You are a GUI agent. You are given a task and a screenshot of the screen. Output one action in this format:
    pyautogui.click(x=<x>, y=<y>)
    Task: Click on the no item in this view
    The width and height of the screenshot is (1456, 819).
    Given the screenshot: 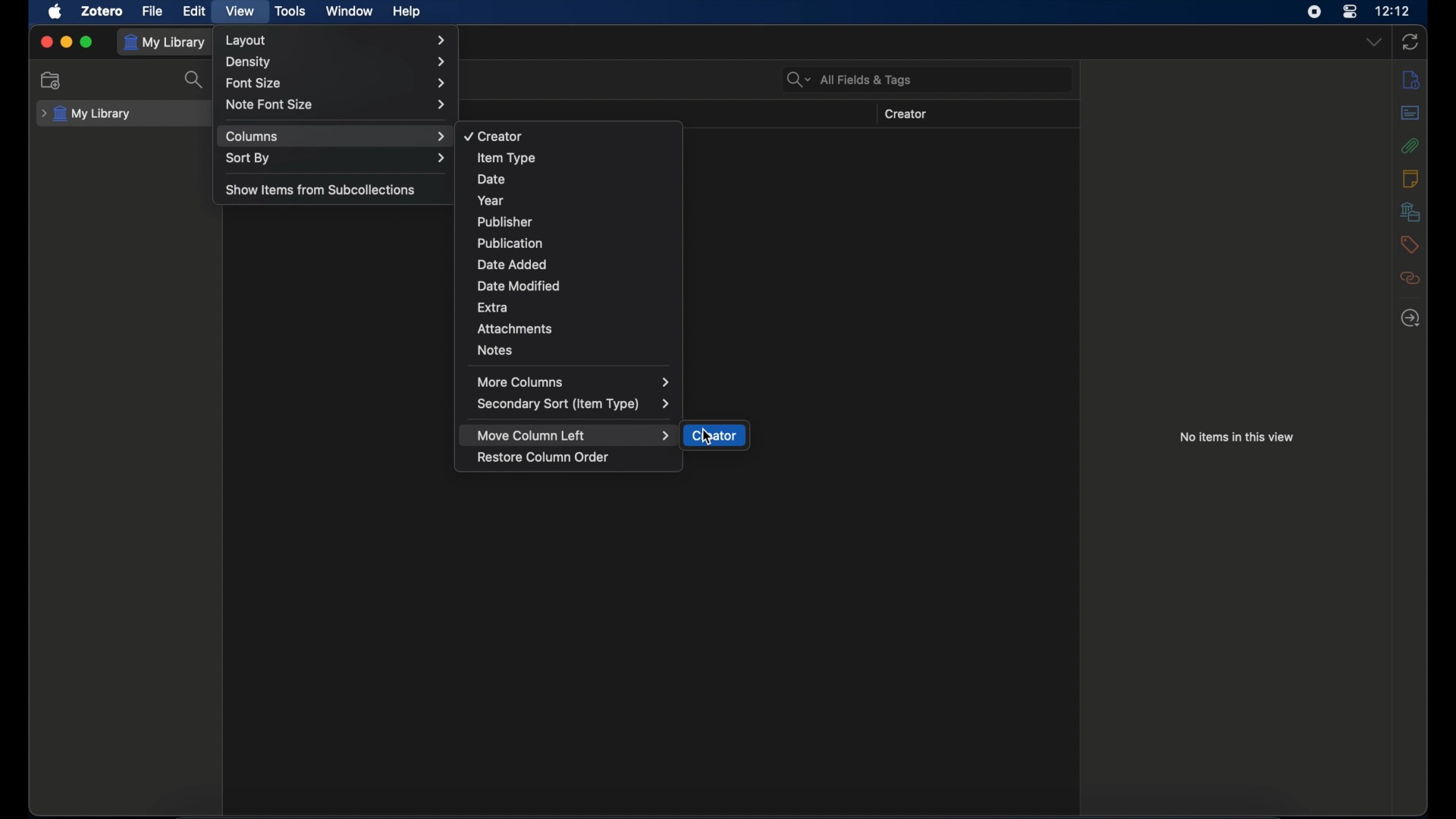 What is the action you would take?
    pyautogui.click(x=1238, y=437)
    